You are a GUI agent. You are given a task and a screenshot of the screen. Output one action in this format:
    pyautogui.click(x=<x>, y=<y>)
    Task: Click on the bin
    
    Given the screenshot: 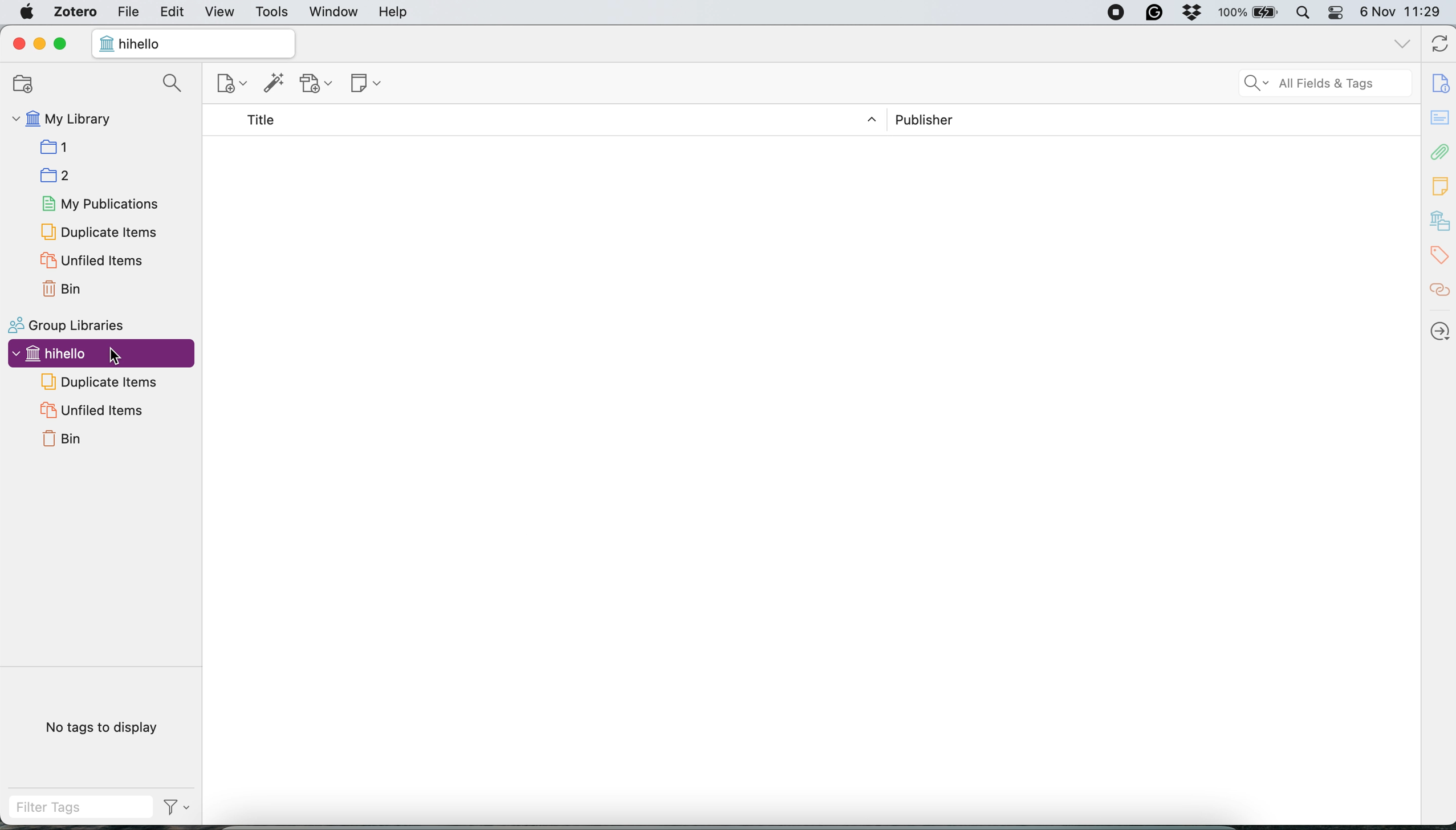 What is the action you would take?
    pyautogui.click(x=68, y=438)
    